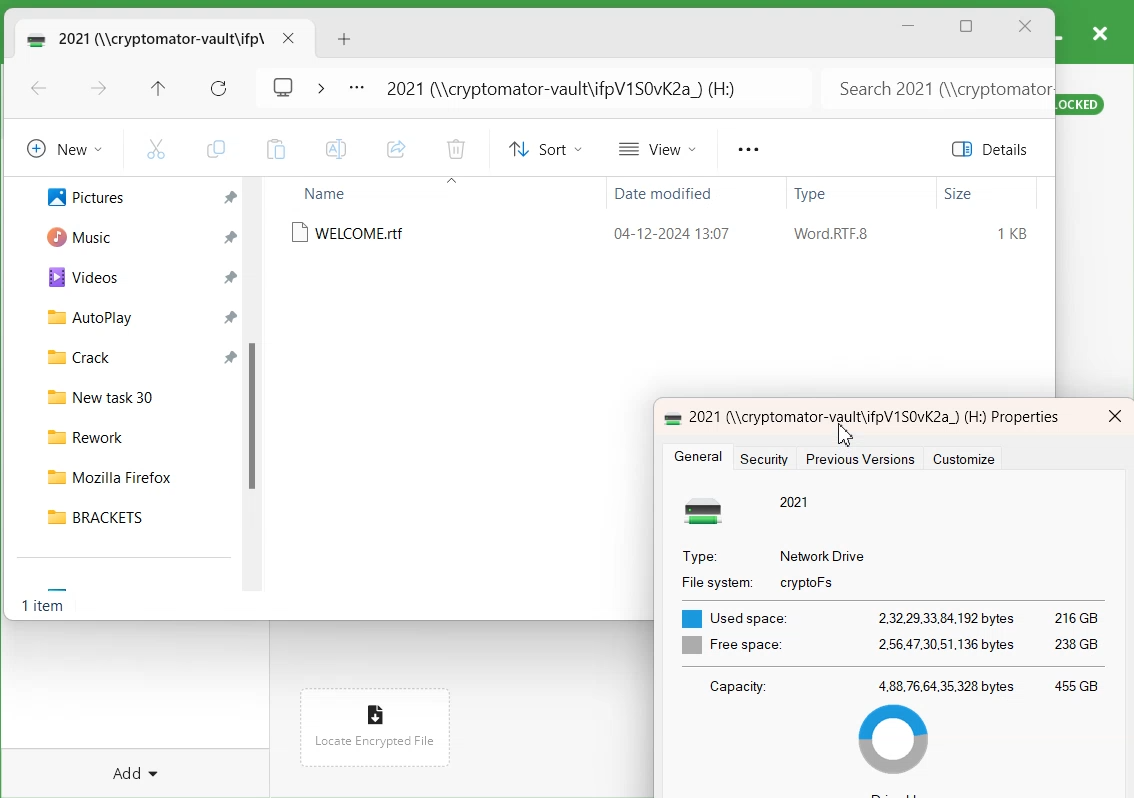 This screenshot has width=1134, height=798. What do you see at coordinates (72, 235) in the screenshot?
I see `Music` at bounding box center [72, 235].